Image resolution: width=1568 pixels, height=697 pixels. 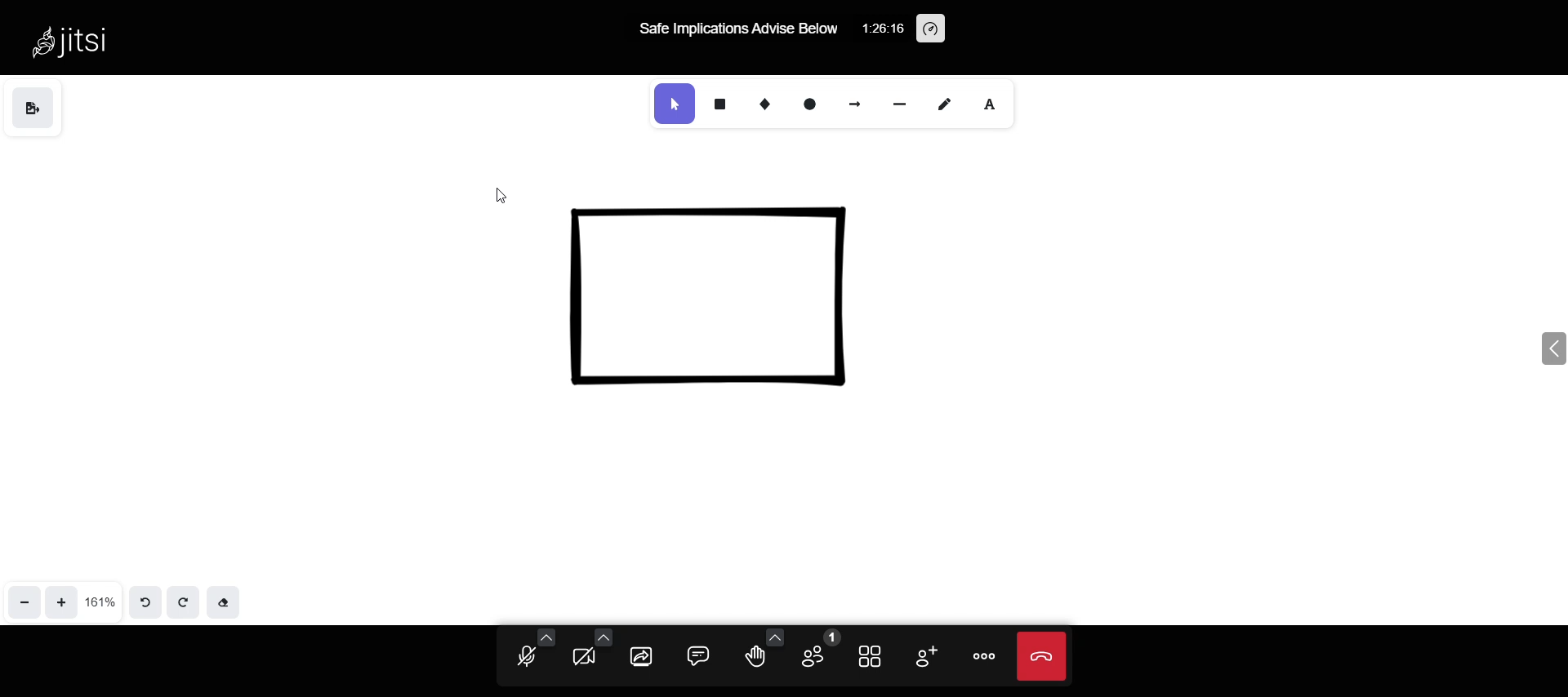 What do you see at coordinates (145, 600) in the screenshot?
I see `undo` at bounding box center [145, 600].